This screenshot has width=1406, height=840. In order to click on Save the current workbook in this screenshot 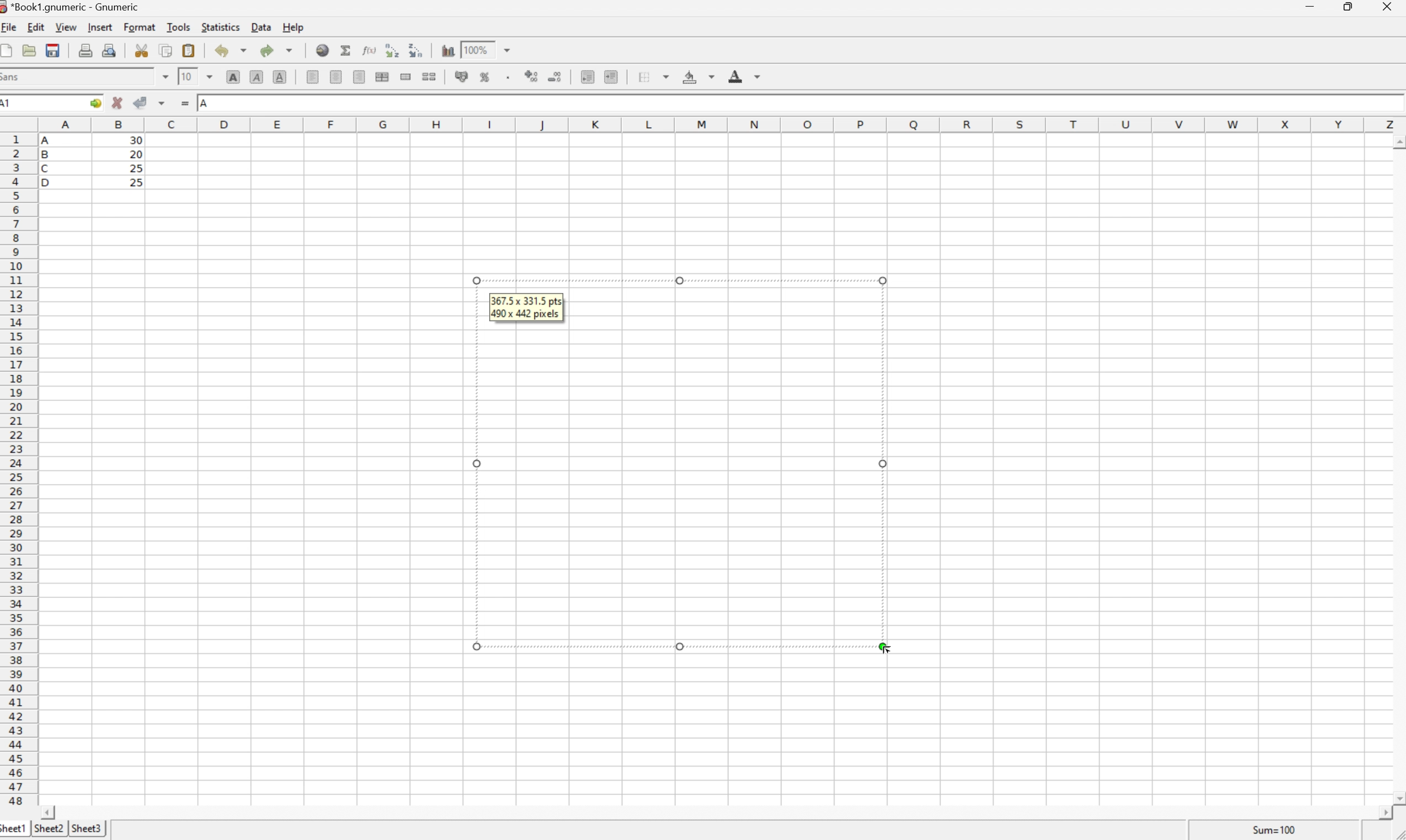, I will do `click(52, 50)`.